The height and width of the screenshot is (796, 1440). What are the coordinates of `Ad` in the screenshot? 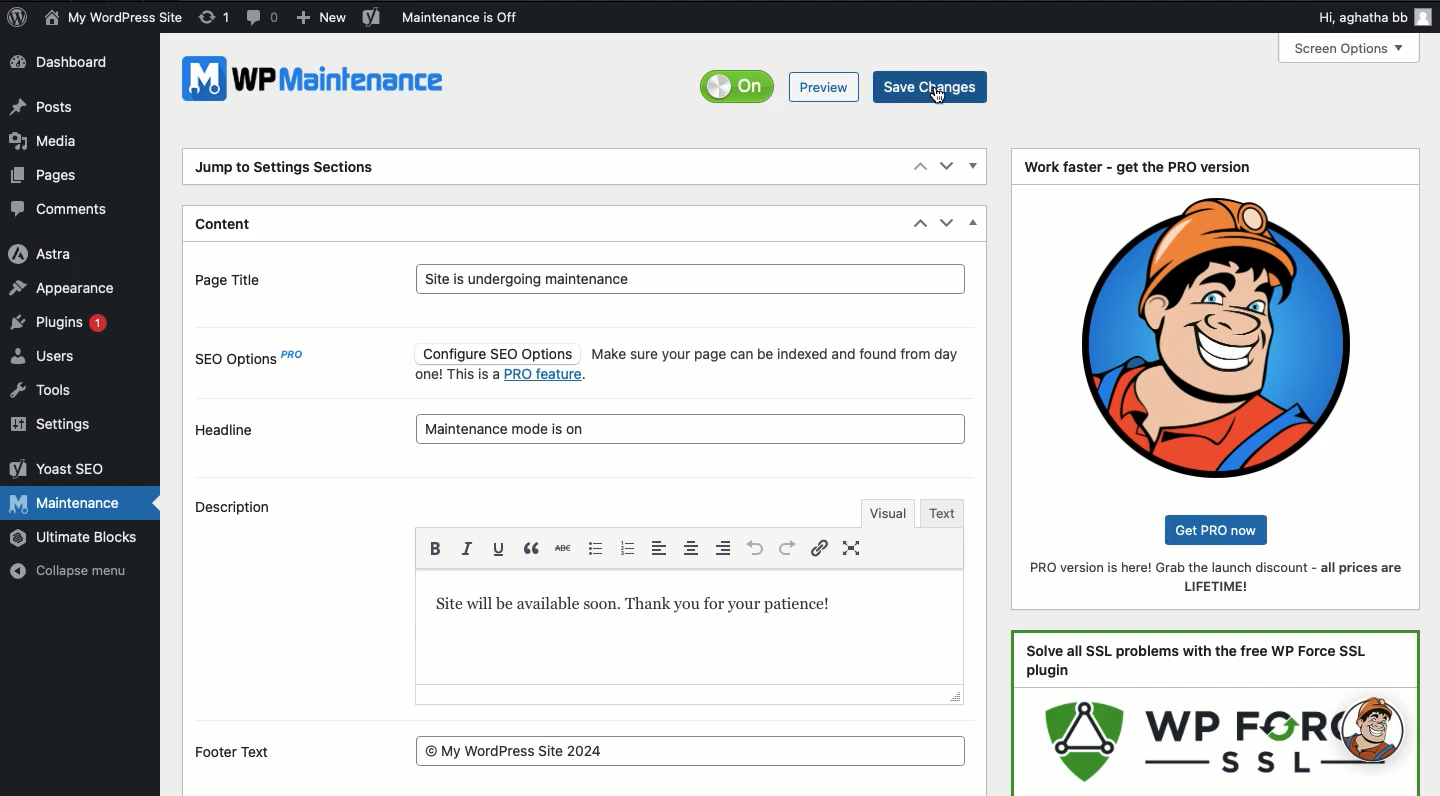 It's located at (1216, 713).